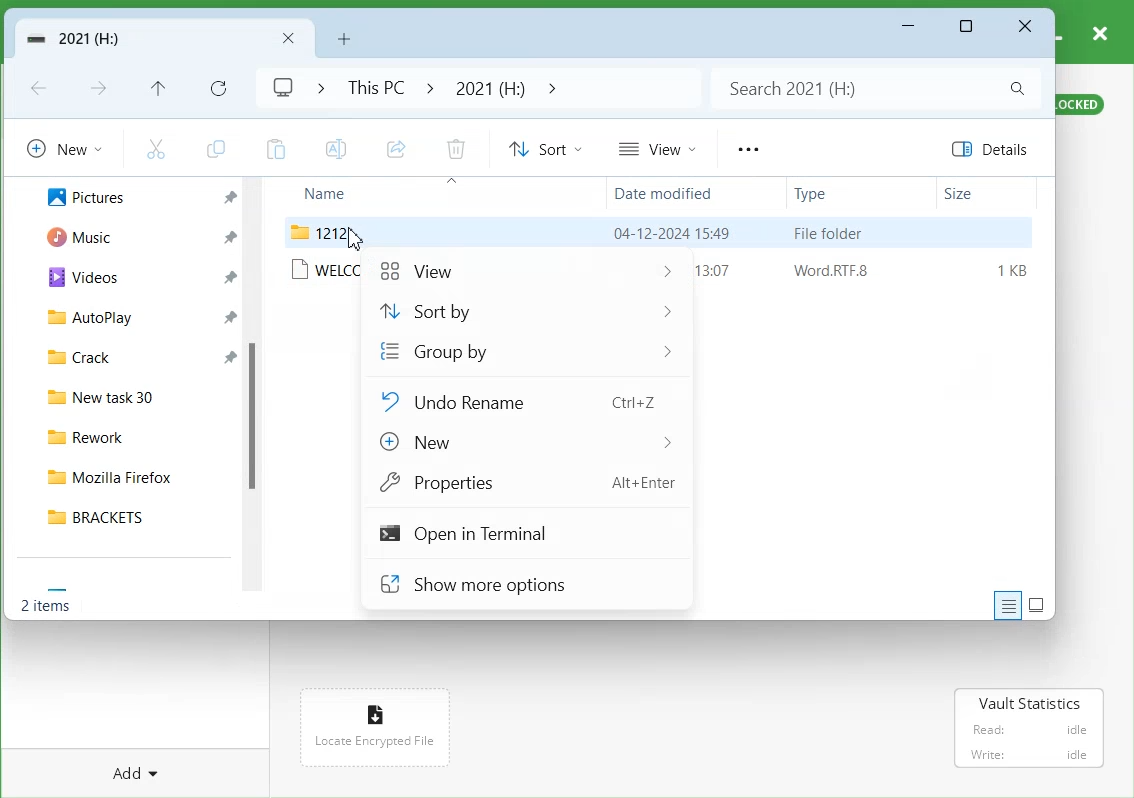 Image resolution: width=1134 pixels, height=798 pixels. What do you see at coordinates (1025, 27) in the screenshot?
I see `Close` at bounding box center [1025, 27].